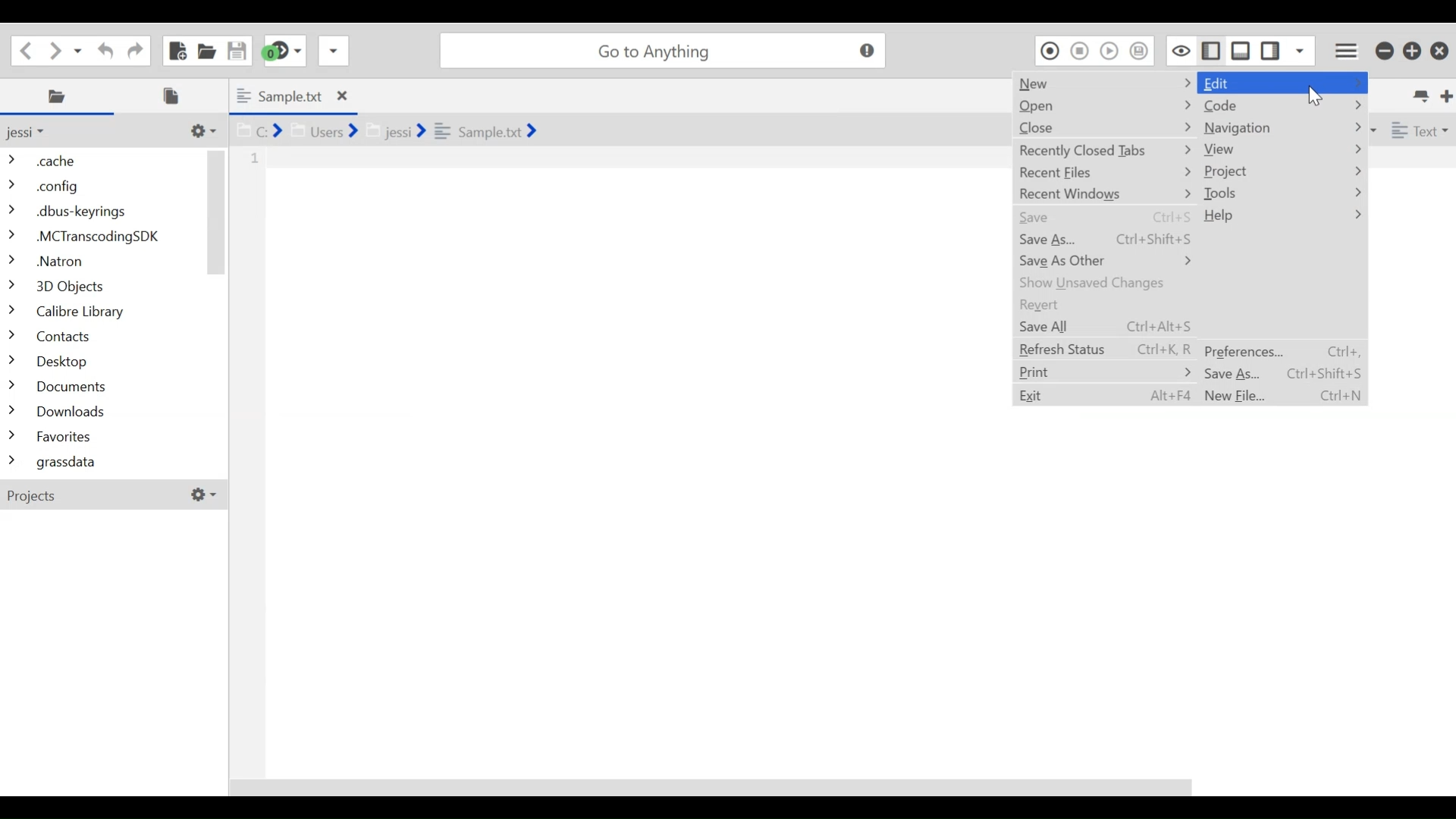  What do you see at coordinates (80, 49) in the screenshot?
I see `Recent locations` at bounding box center [80, 49].